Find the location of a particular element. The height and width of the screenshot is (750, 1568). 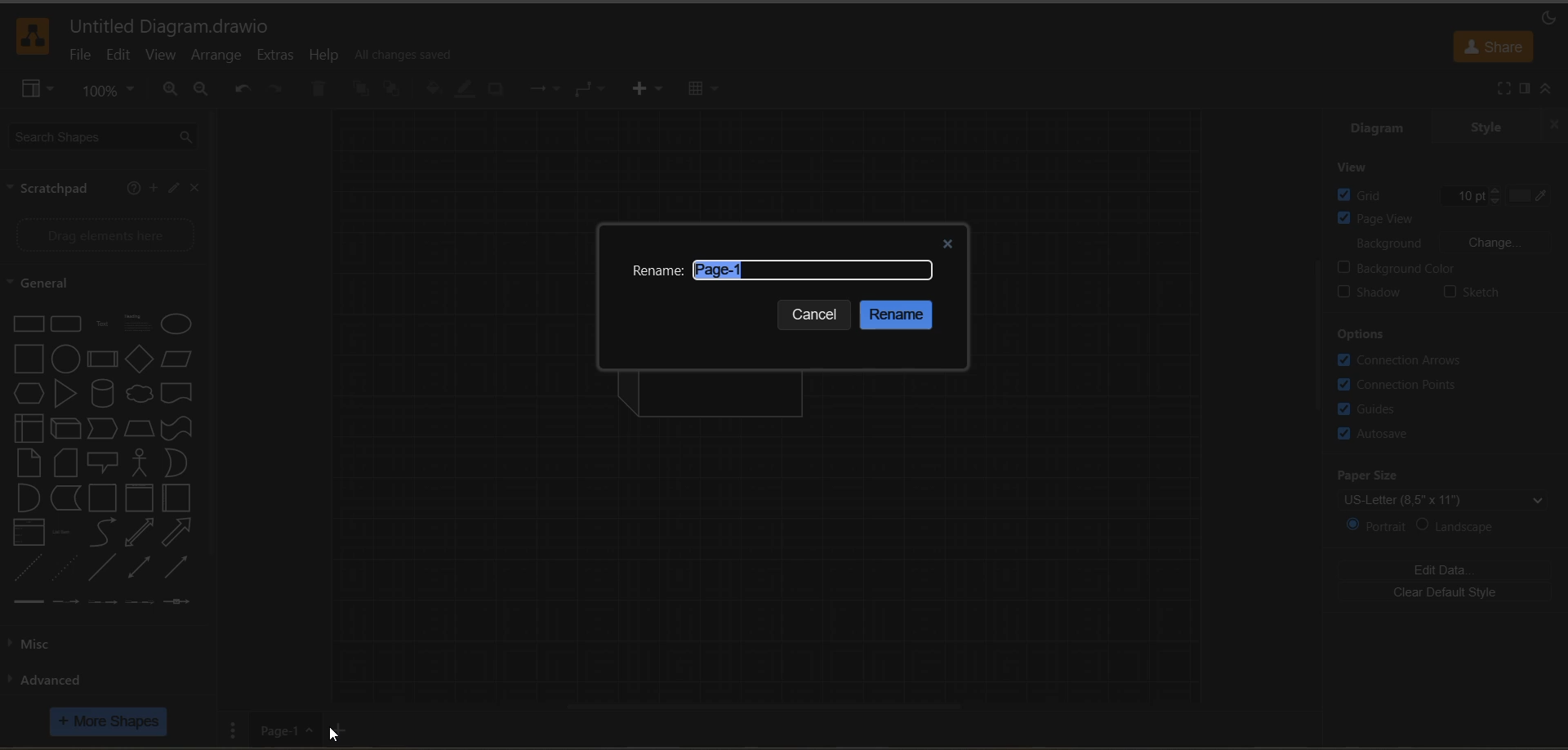

undo is located at coordinates (243, 87).